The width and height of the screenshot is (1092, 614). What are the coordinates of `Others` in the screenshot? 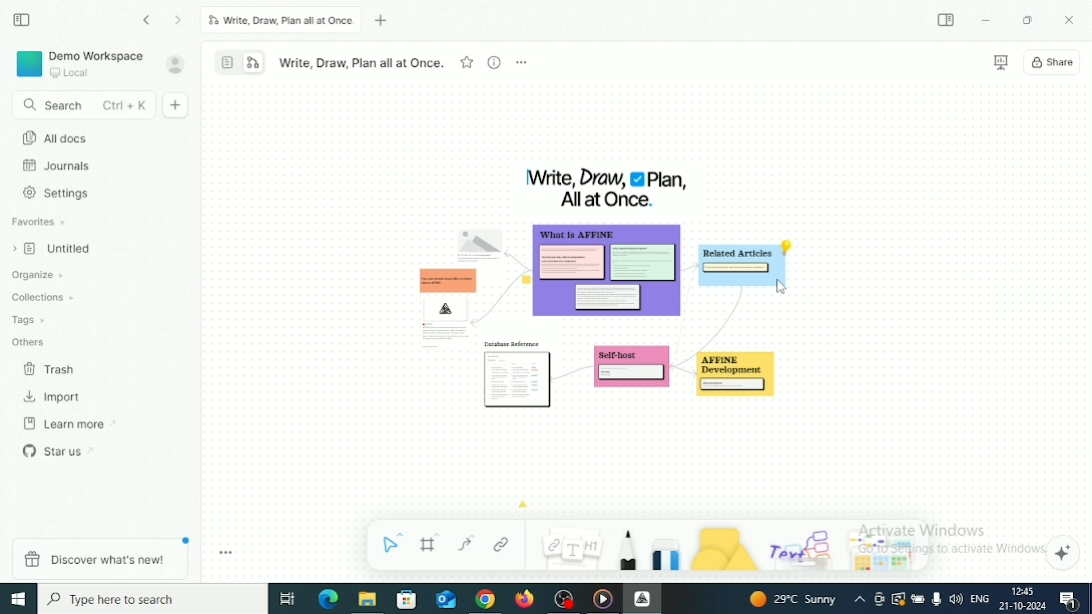 It's located at (803, 546).